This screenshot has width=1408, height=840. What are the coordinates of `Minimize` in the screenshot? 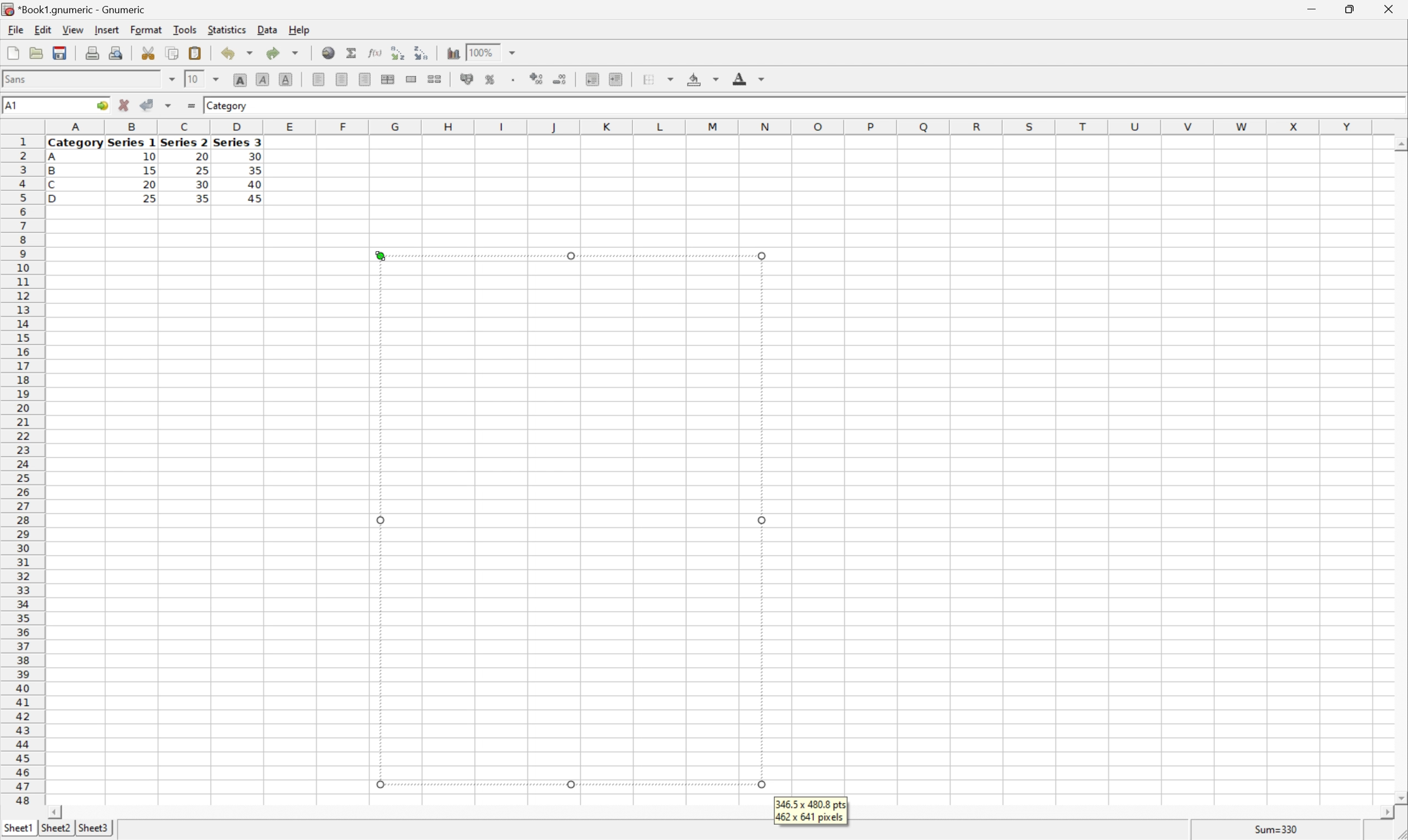 It's located at (1308, 10).